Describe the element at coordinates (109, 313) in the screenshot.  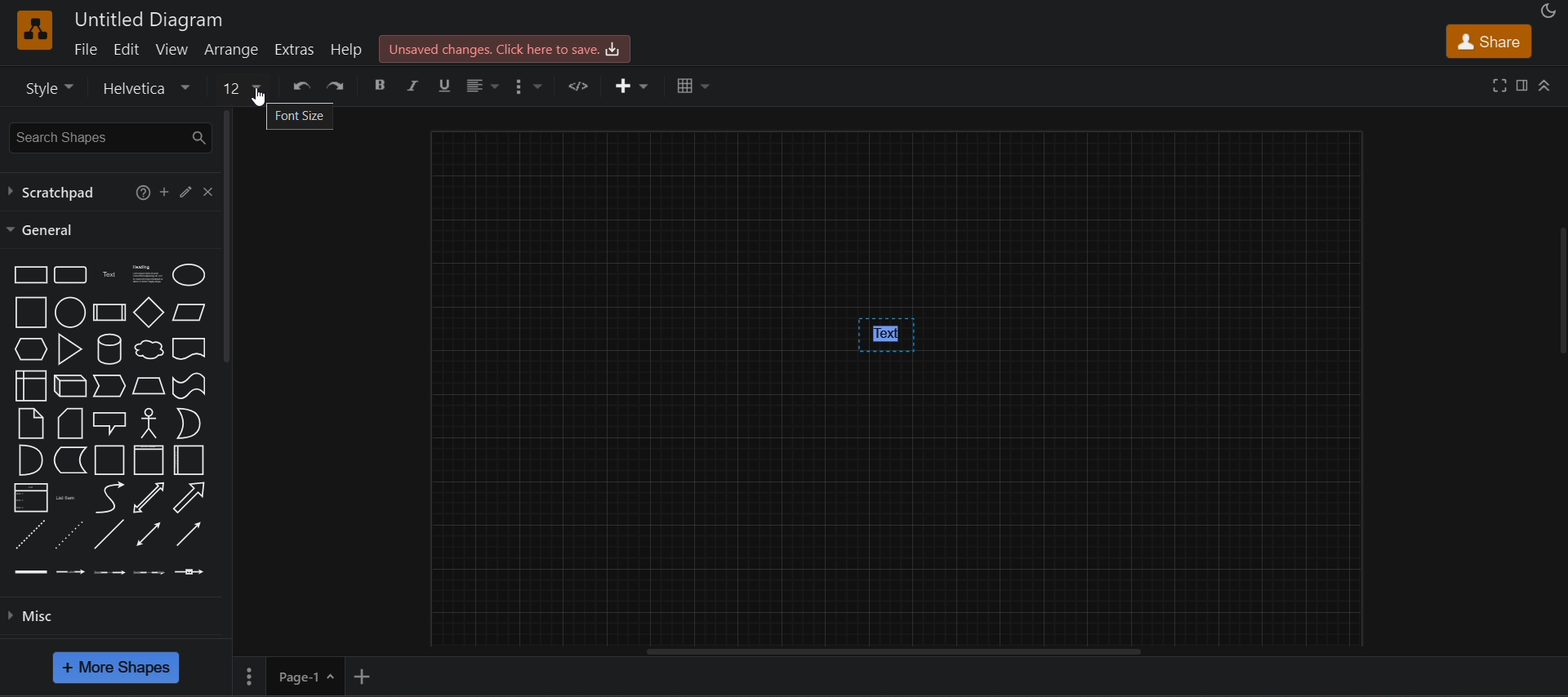
I see `Process` at that location.